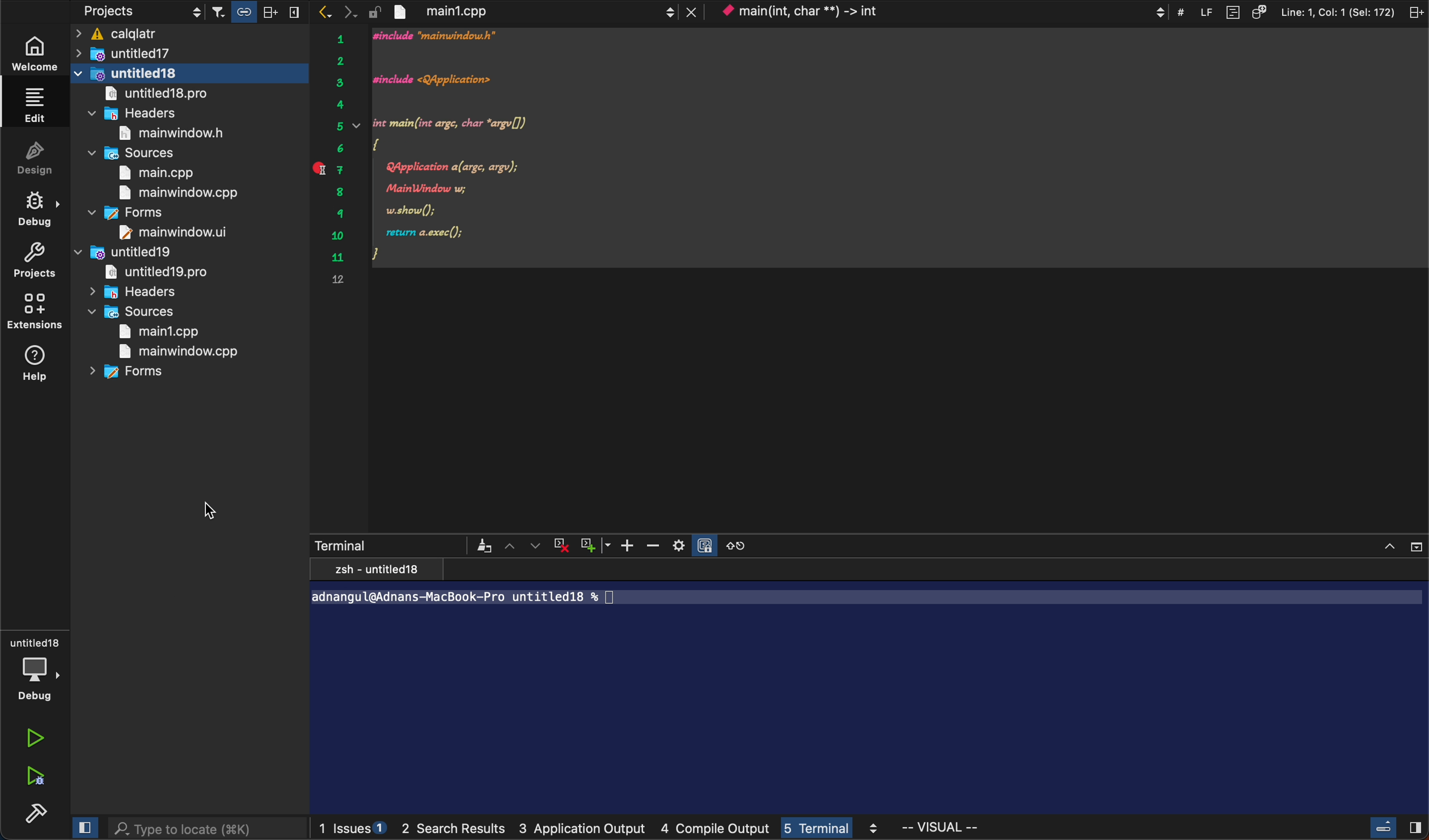 The width and height of the screenshot is (1429, 840). What do you see at coordinates (294, 9) in the screenshot?
I see `split vertically` at bounding box center [294, 9].